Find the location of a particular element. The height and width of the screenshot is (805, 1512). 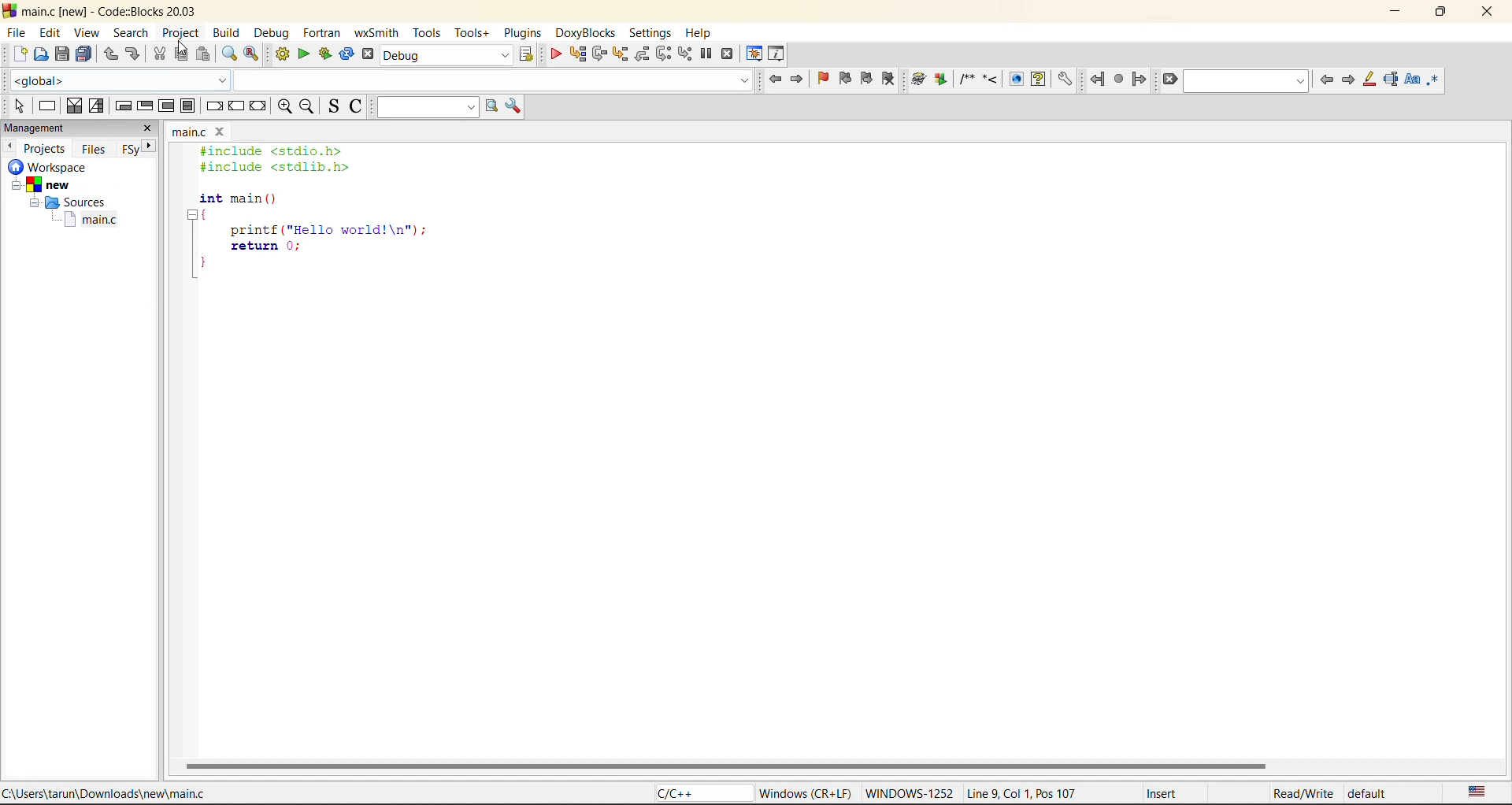

break debugger is located at coordinates (707, 54).